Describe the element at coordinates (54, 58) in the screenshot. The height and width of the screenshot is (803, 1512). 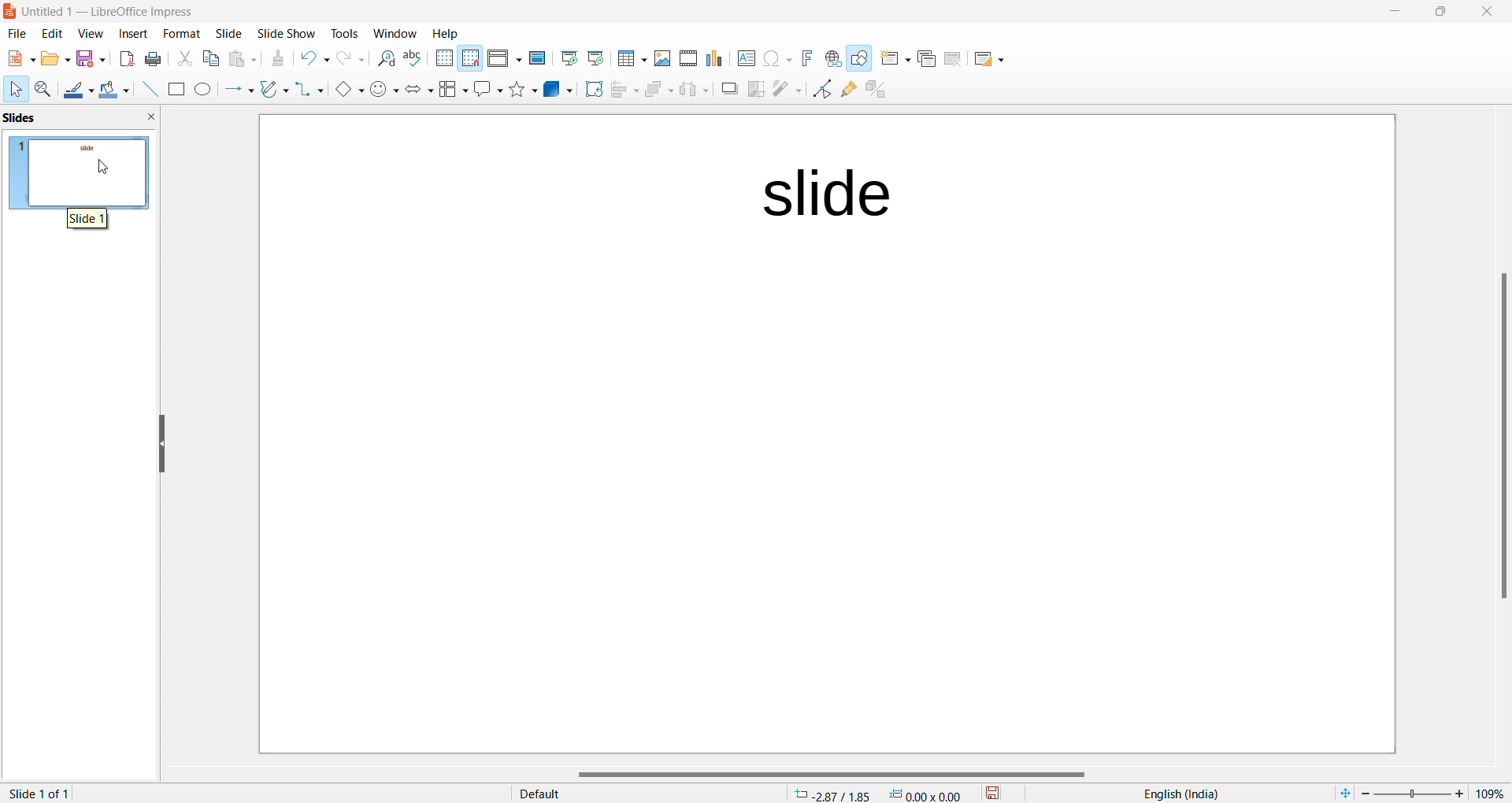
I see `New file` at that location.